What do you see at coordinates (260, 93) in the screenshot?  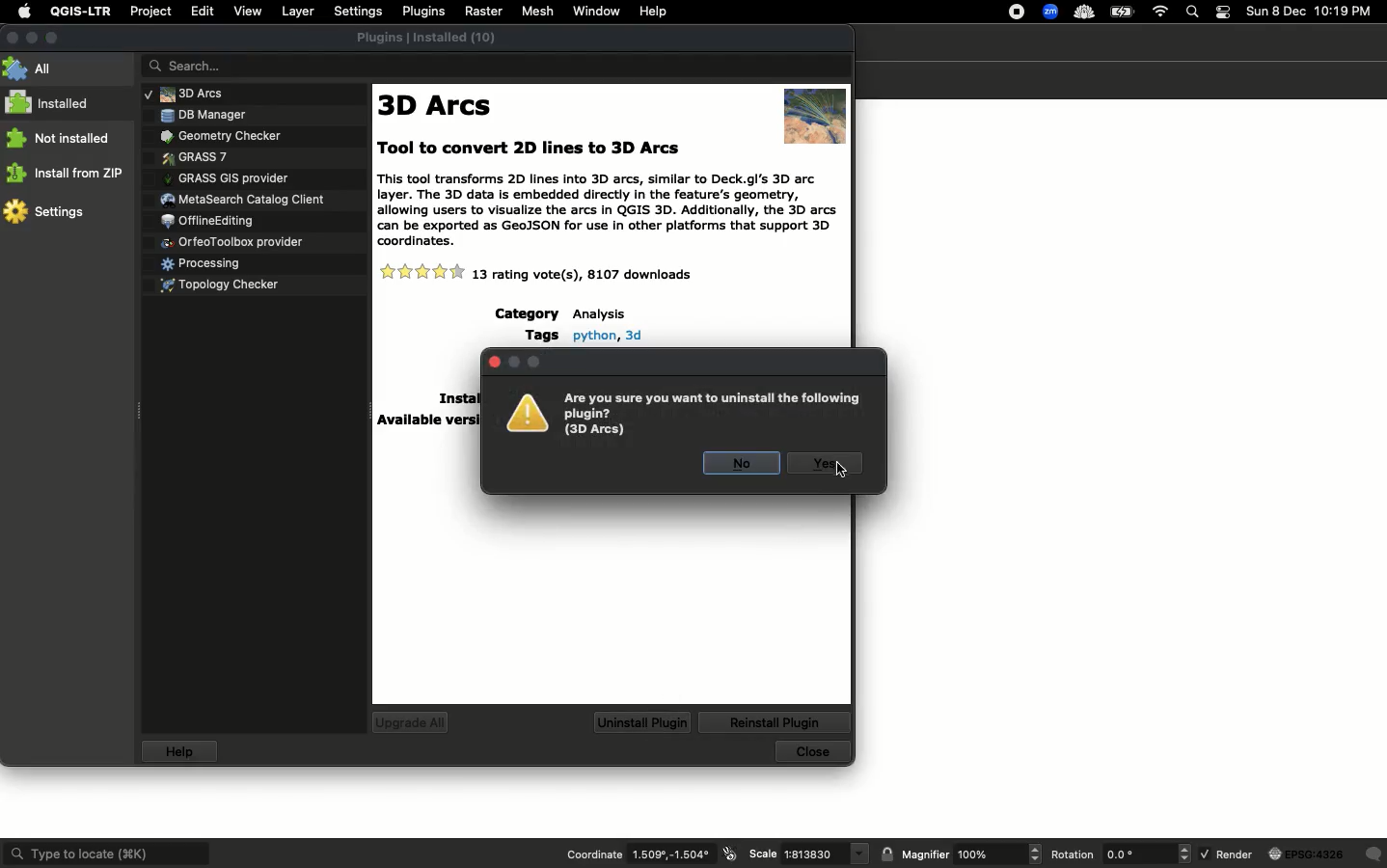 I see `Plugins` at bounding box center [260, 93].